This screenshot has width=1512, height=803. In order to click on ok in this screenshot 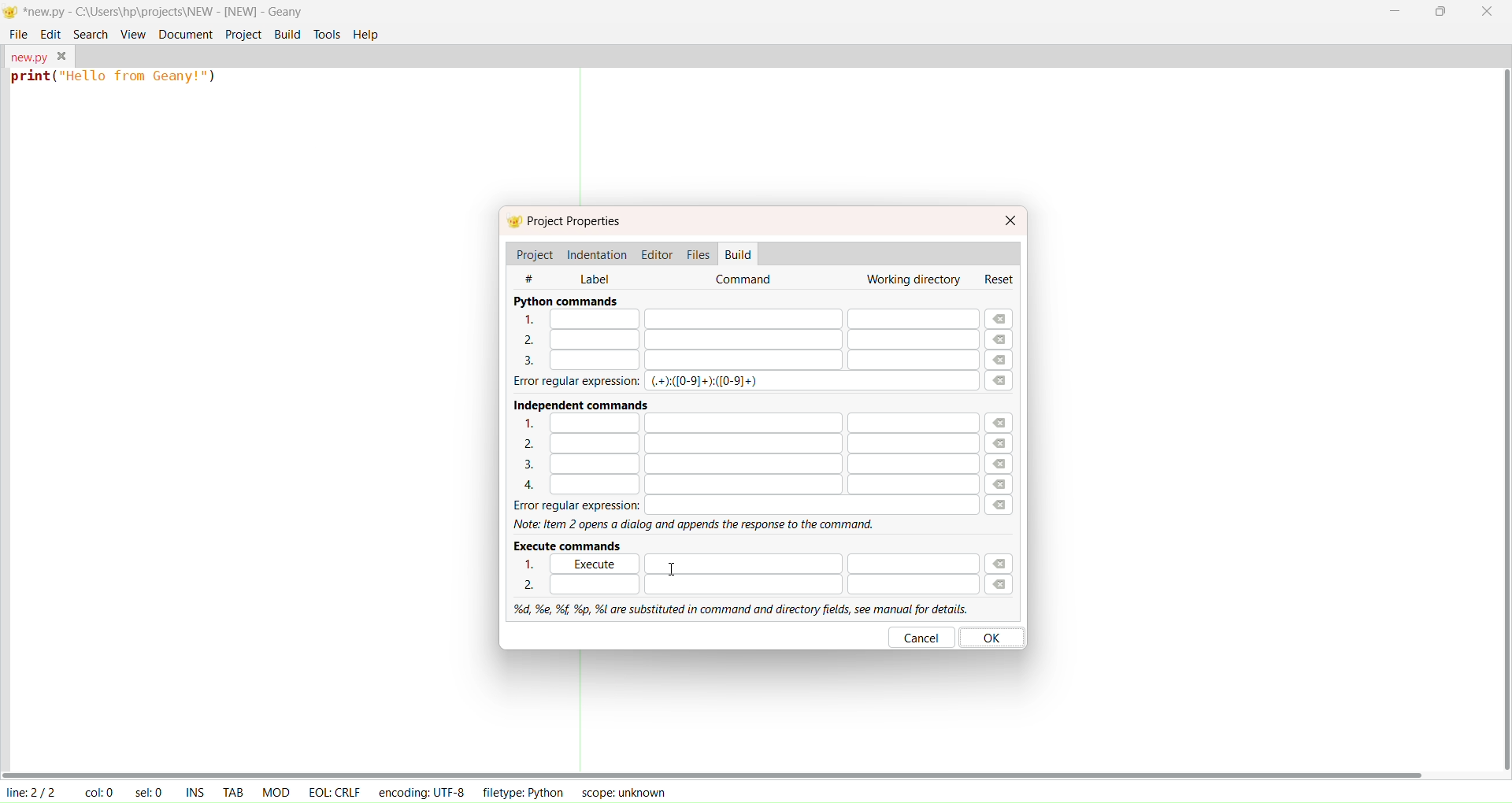, I will do `click(995, 636)`.